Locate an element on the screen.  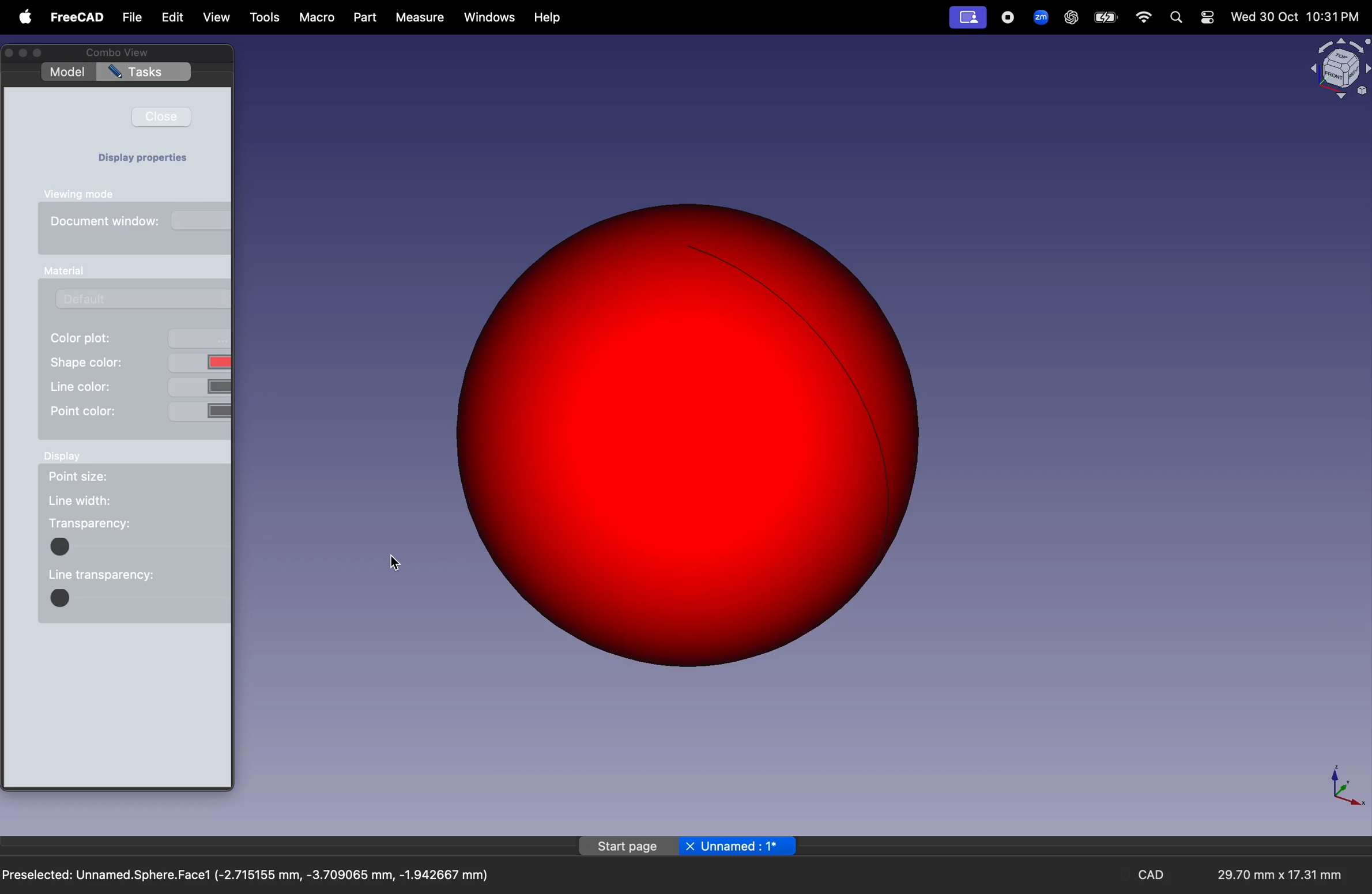
line tranparency is located at coordinates (105, 576).